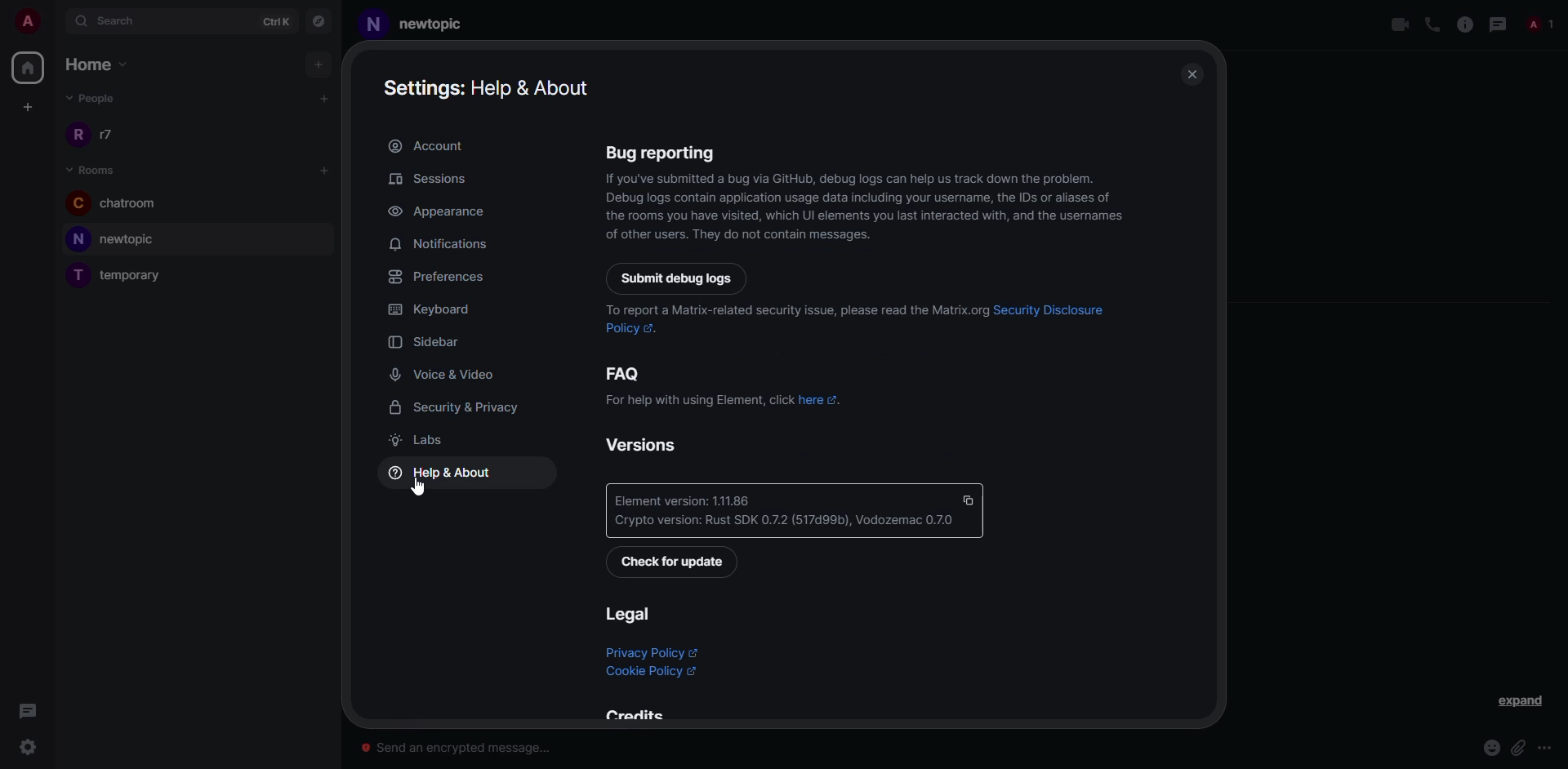 This screenshot has height=769, width=1568. I want to click on version, so click(685, 500).